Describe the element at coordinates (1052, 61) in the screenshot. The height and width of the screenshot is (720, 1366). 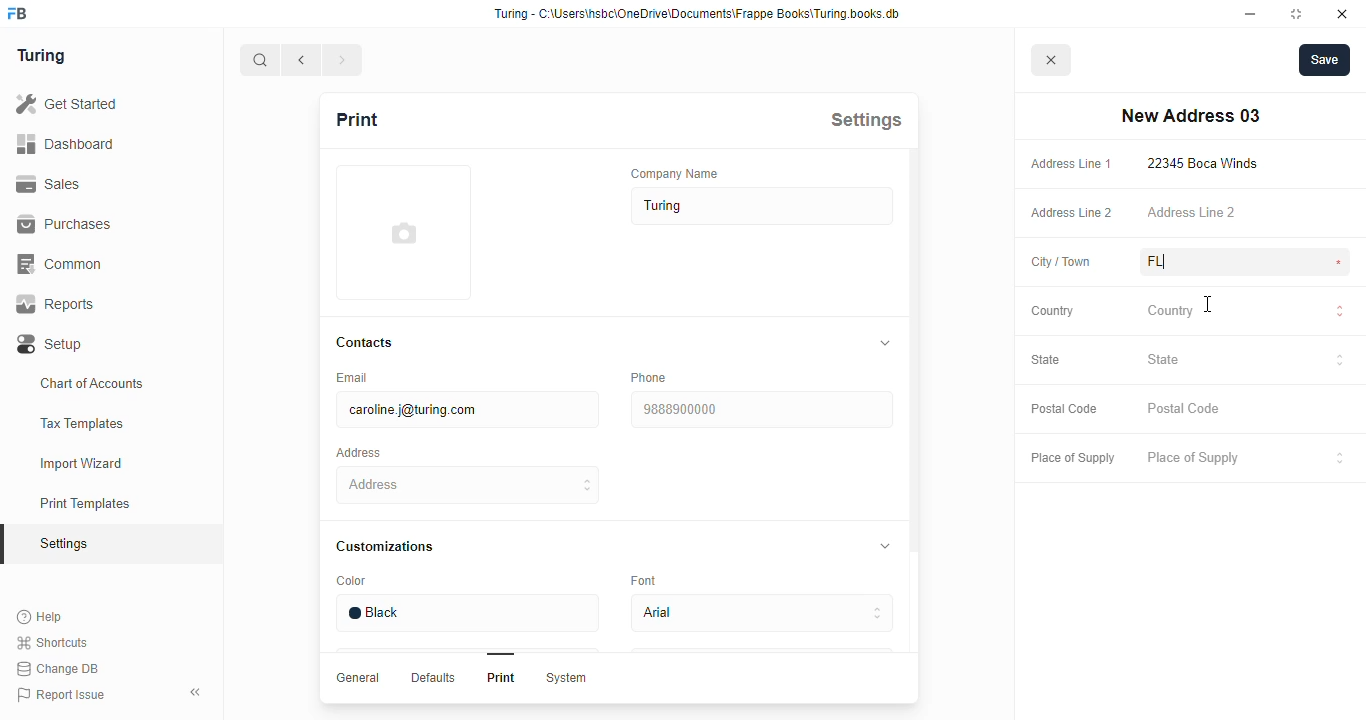
I see `cancel` at that location.